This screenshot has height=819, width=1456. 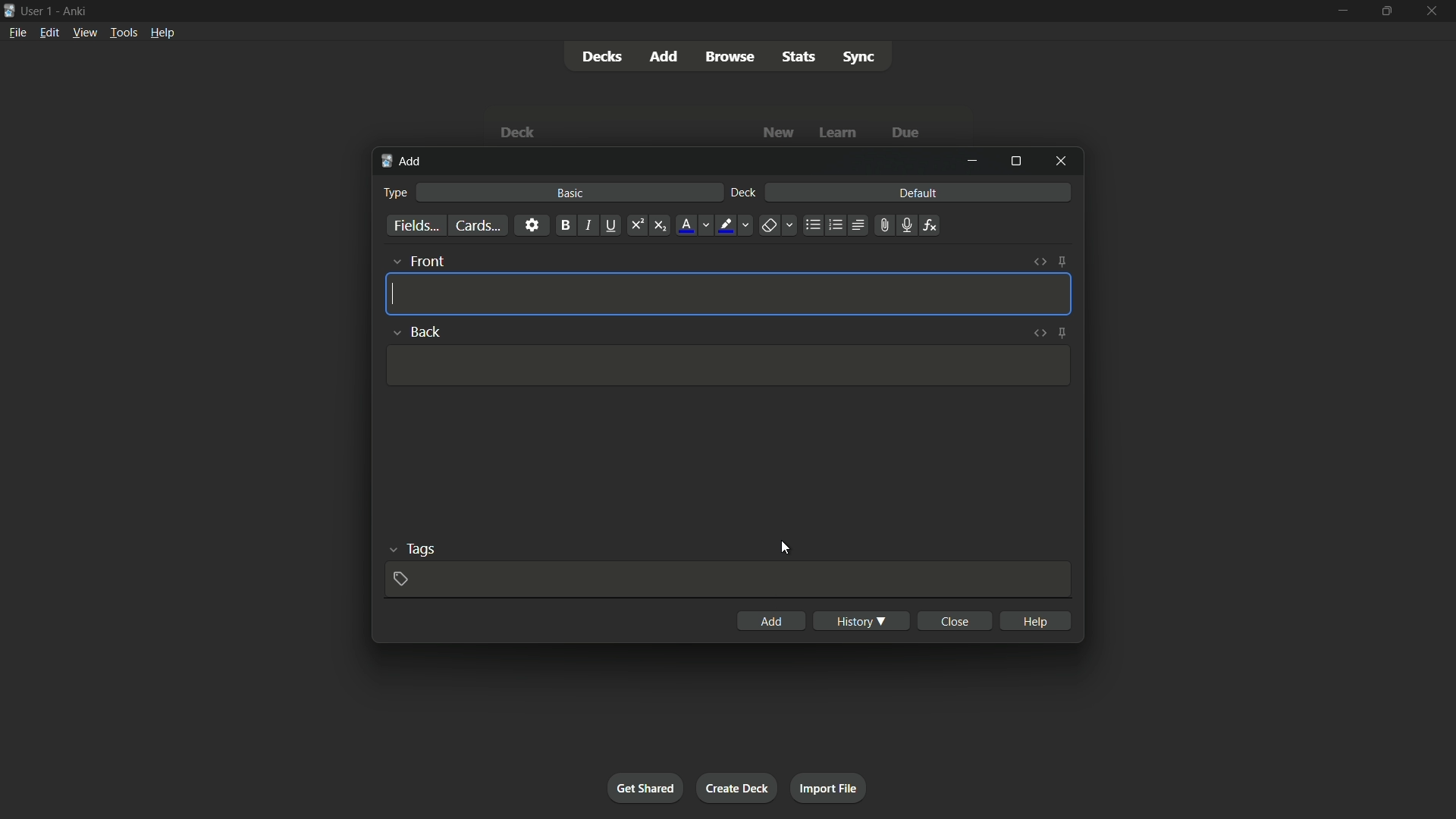 I want to click on file menu, so click(x=18, y=33).